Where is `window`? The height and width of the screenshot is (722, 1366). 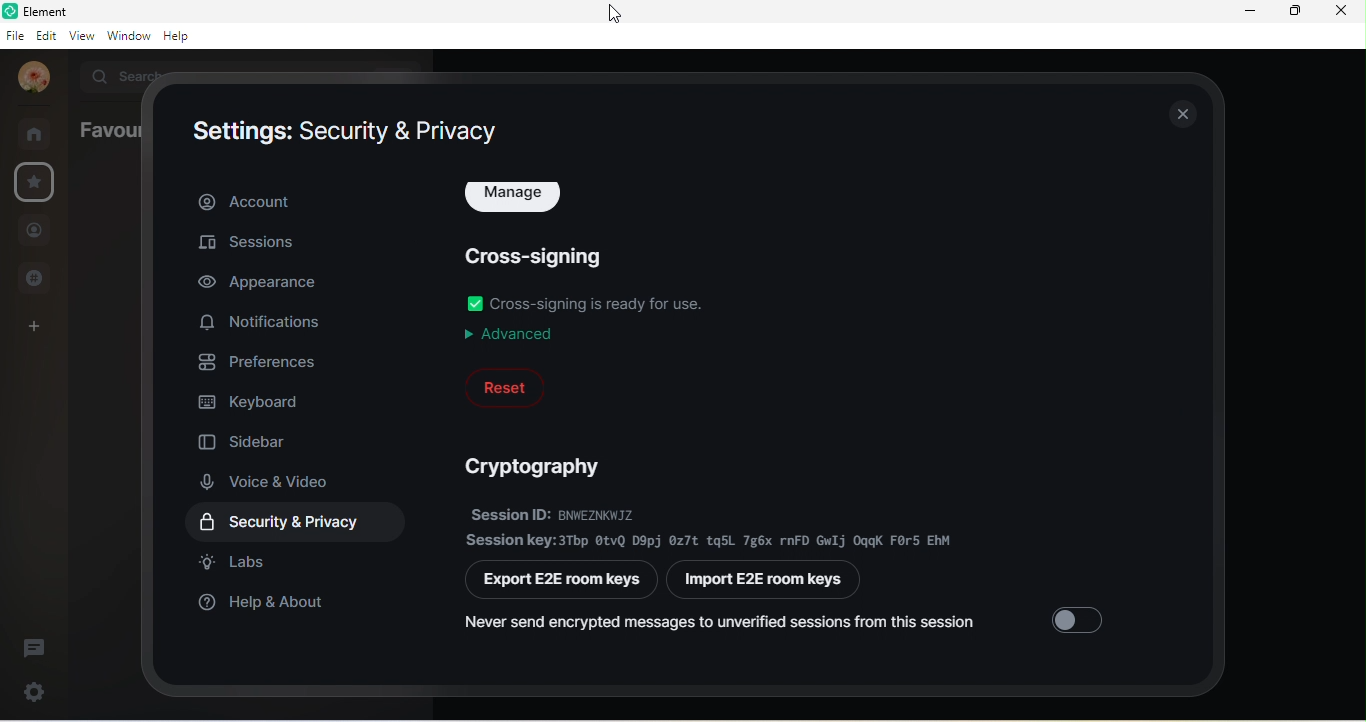
window is located at coordinates (130, 37).